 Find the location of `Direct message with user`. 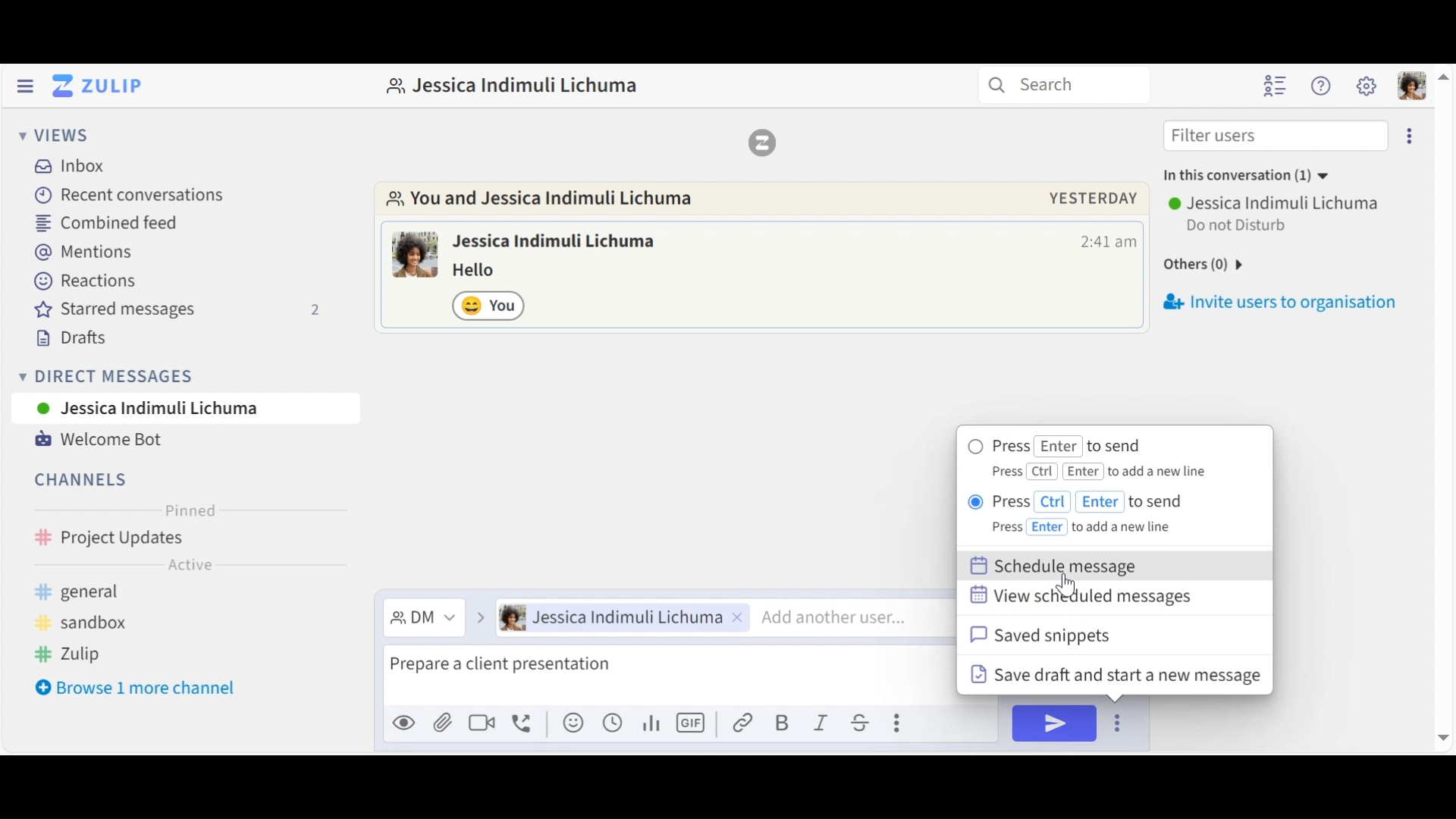

Direct message with user is located at coordinates (521, 86).